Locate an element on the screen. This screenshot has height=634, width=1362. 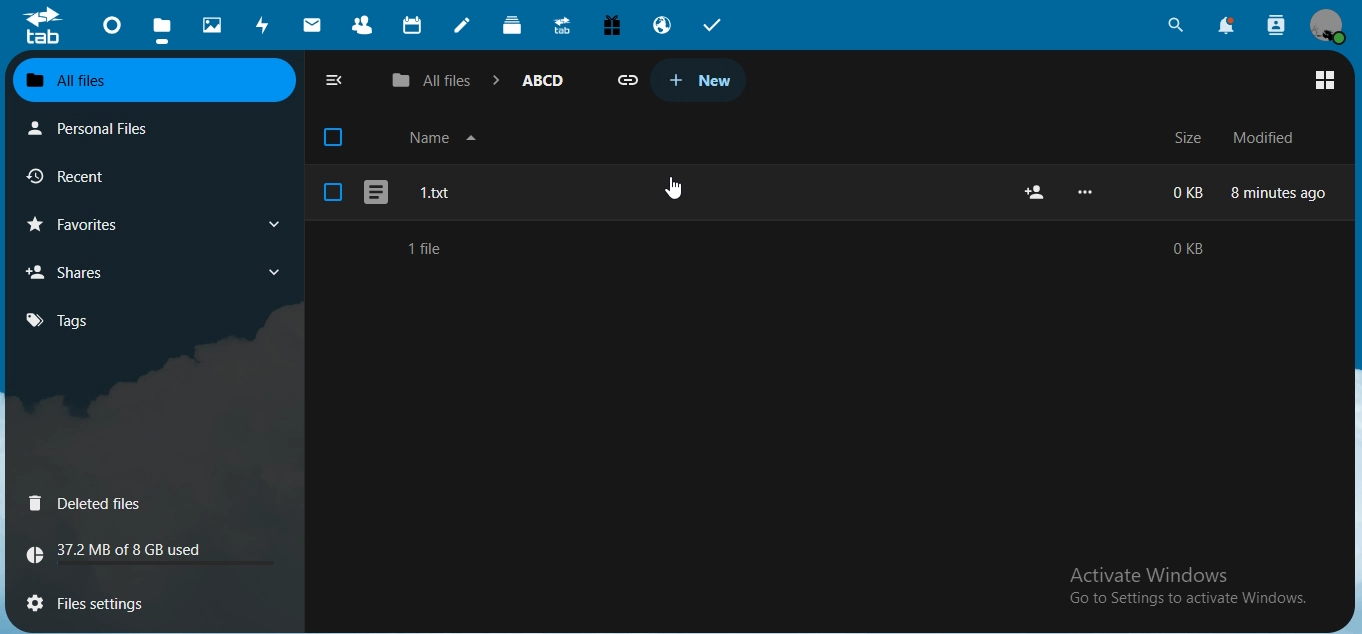
all files is located at coordinates (151, 79).